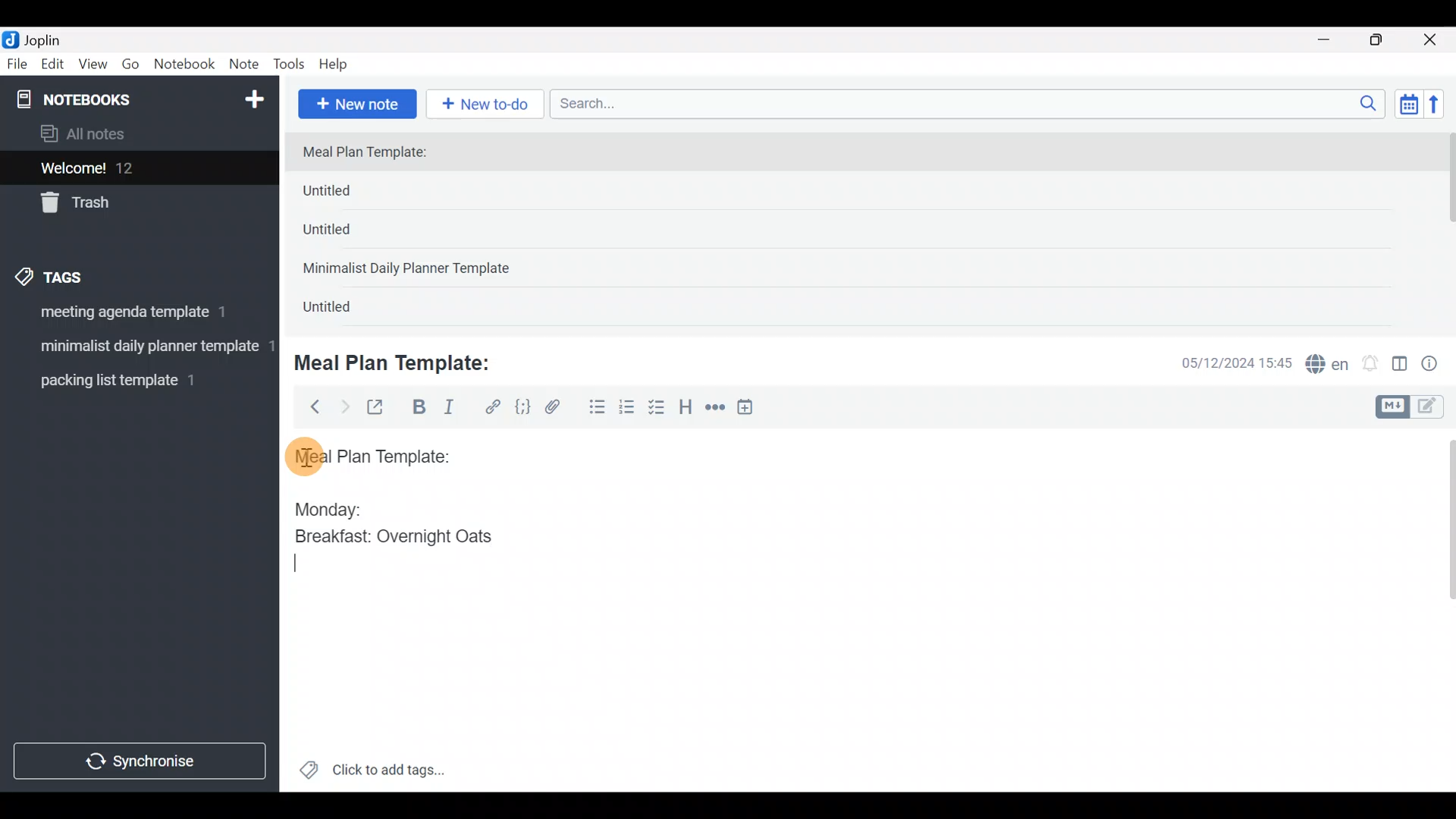  Describe the element at coordinates (752, 409) in the screenshot. I see `Insert time` at that location.